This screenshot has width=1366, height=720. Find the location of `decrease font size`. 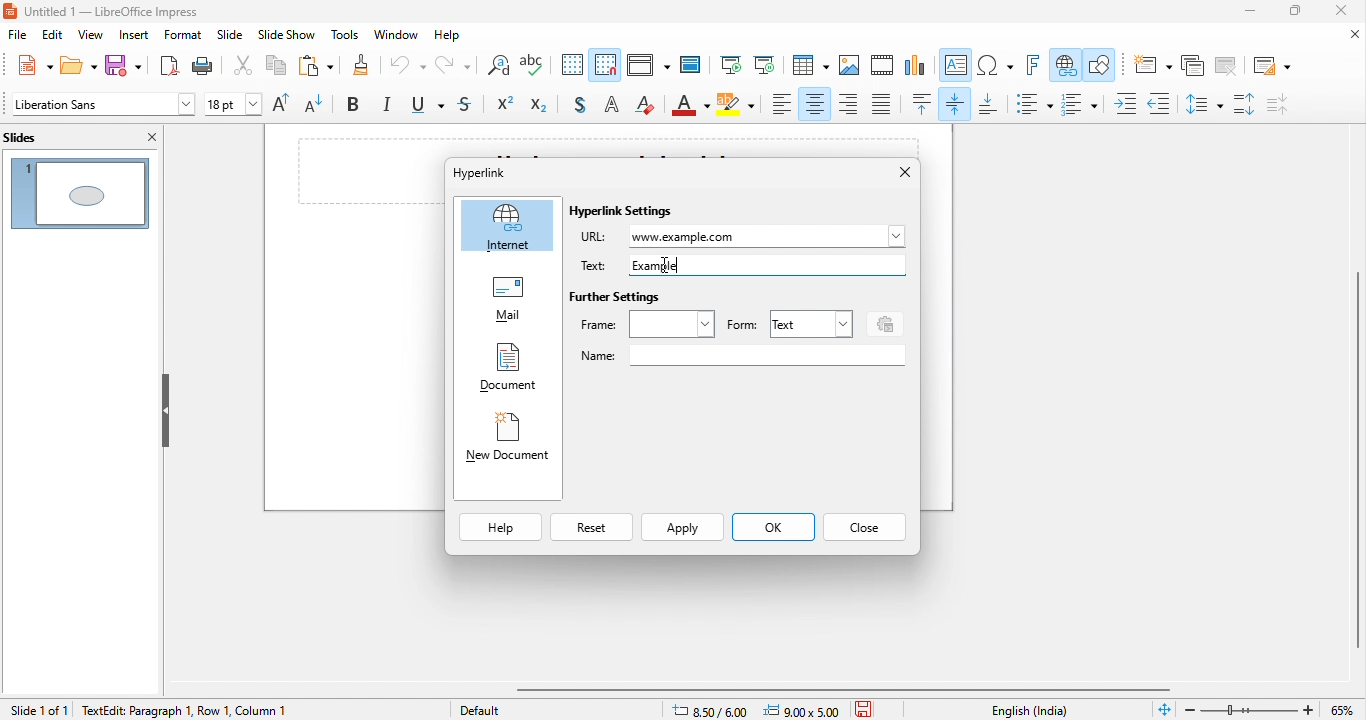

decrease font size is located at coordinates (321, 106).